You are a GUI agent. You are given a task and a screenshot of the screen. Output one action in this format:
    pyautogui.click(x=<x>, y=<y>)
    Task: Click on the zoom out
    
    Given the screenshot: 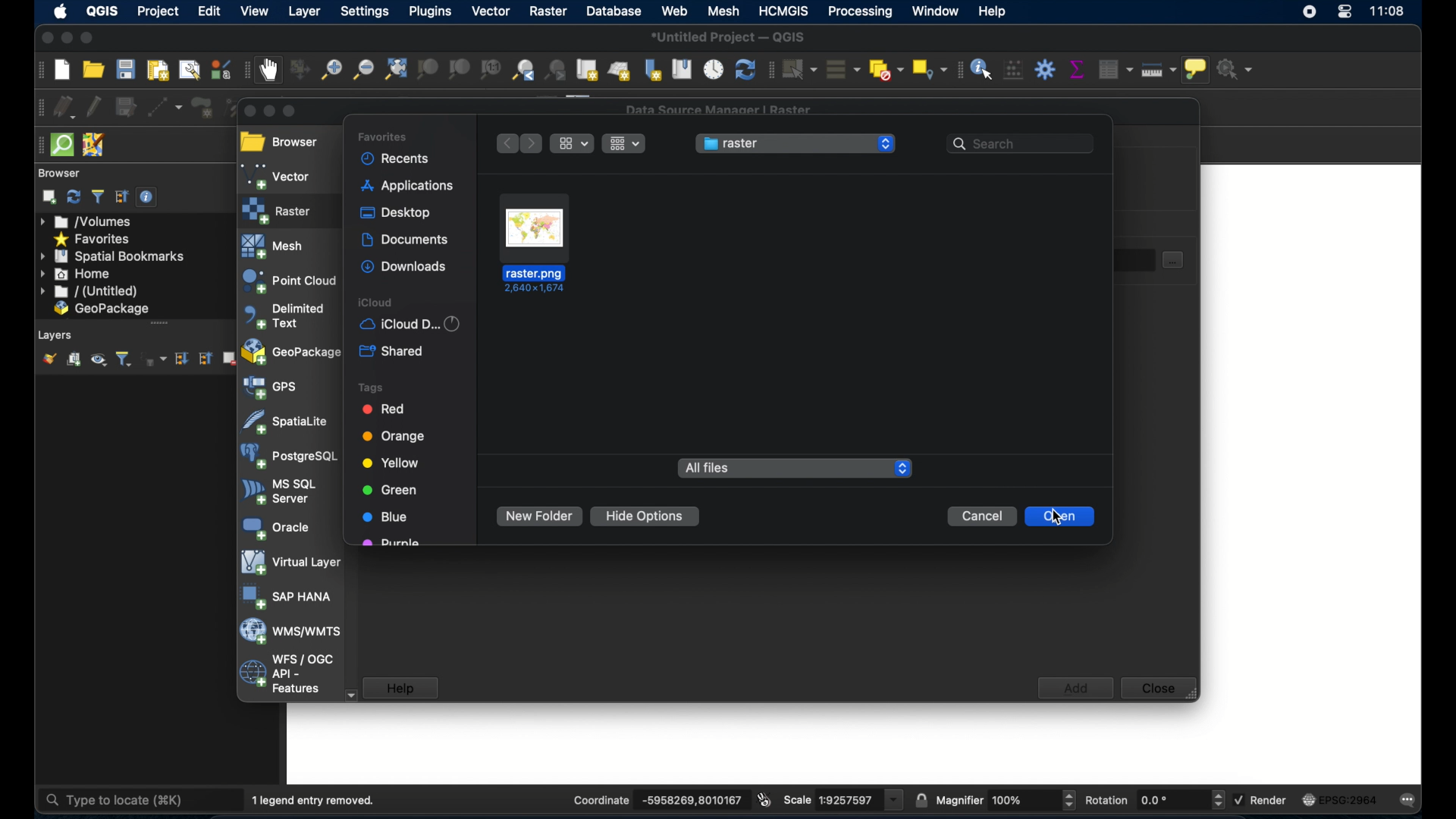 What is the action you would take?
    pyautogui.click(x=363, y=69)
    